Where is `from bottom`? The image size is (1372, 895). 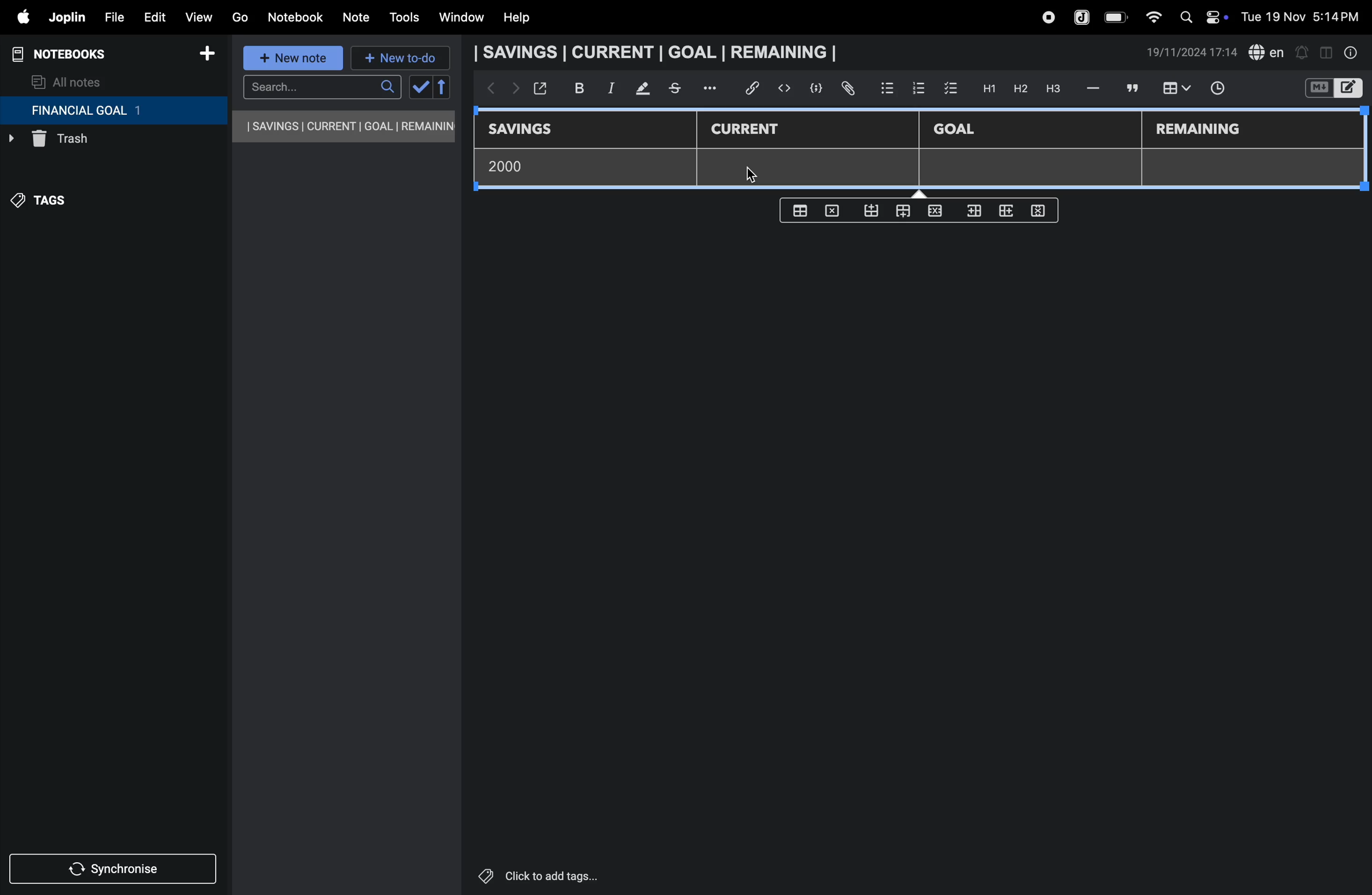
from bottom is located at coordinates (872, 211).